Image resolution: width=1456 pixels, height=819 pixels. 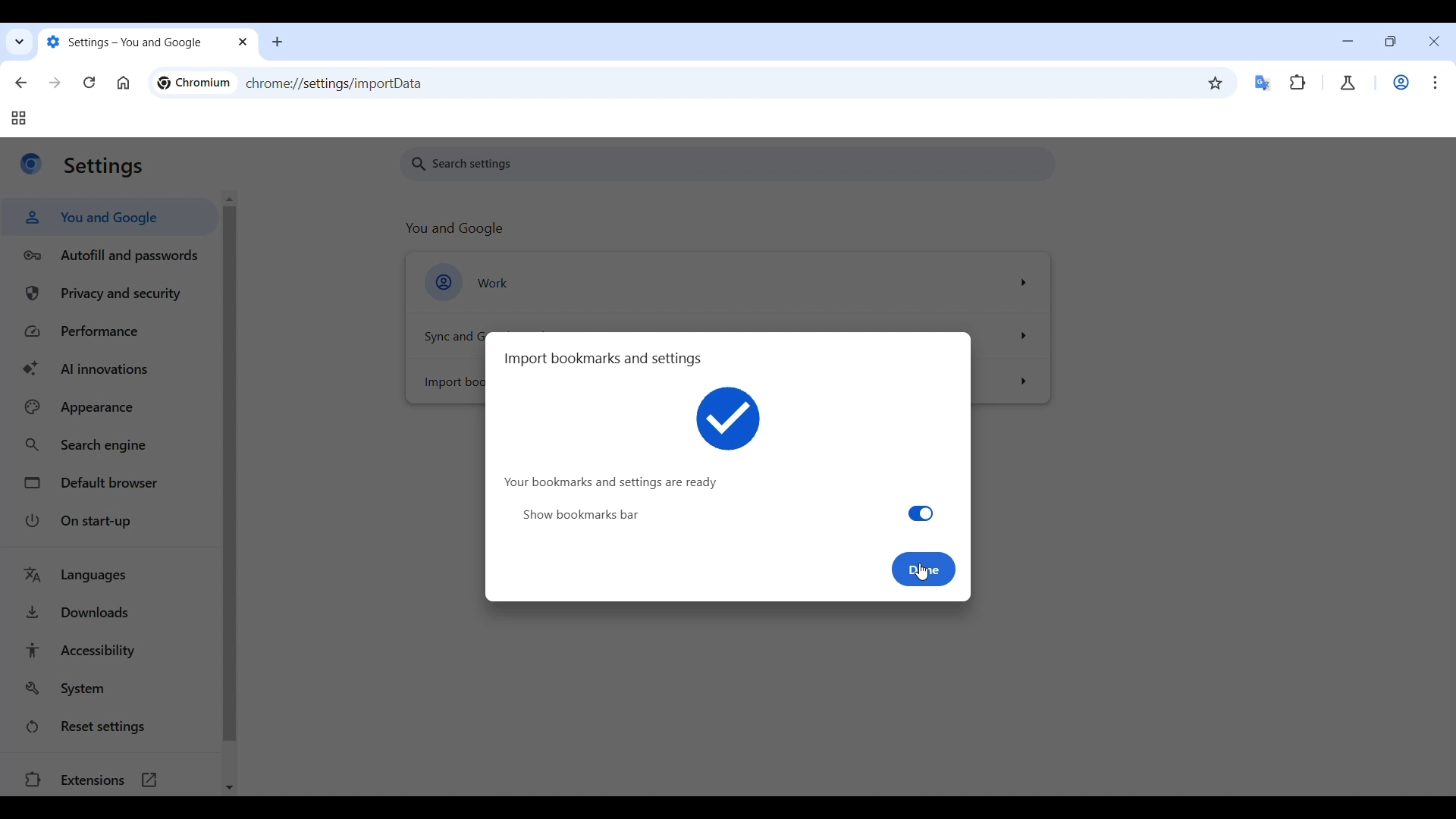 What do you see at coordinates (109, 726) in the screenshot?
I see `Reset settings` at bounding box center [109, 726].